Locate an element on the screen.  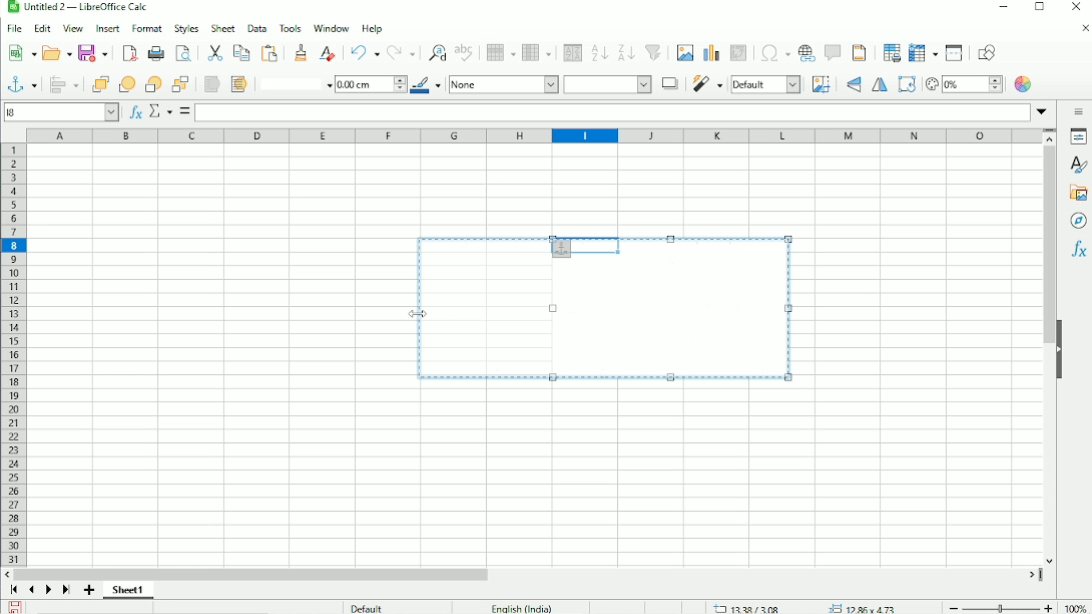
Clear direct formatting is located at coordinates (327, 52).